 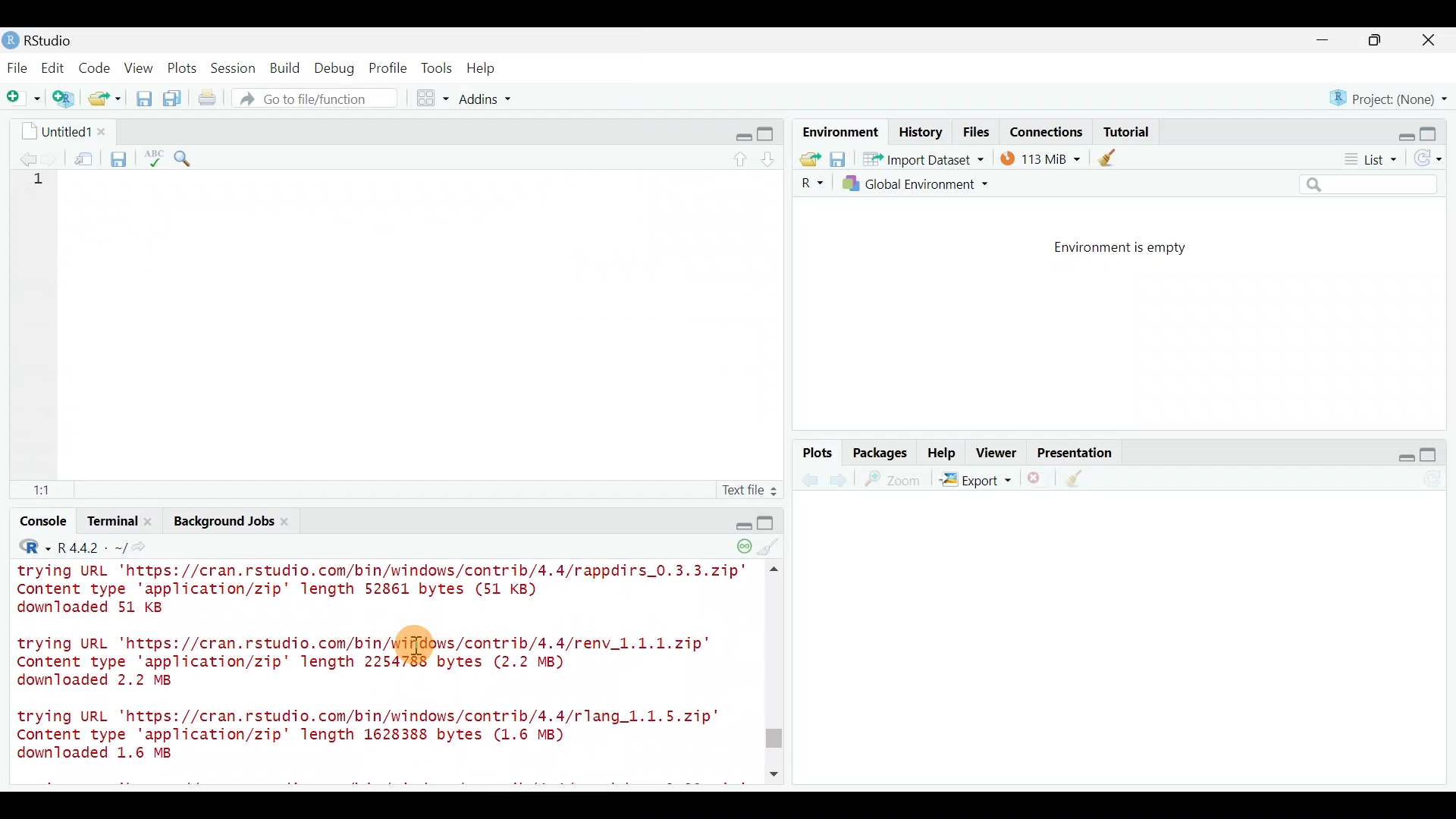 What do you see at coordinates (388, 67) in the screenshot?
I see `Profile` at bounding box center [388, 67].